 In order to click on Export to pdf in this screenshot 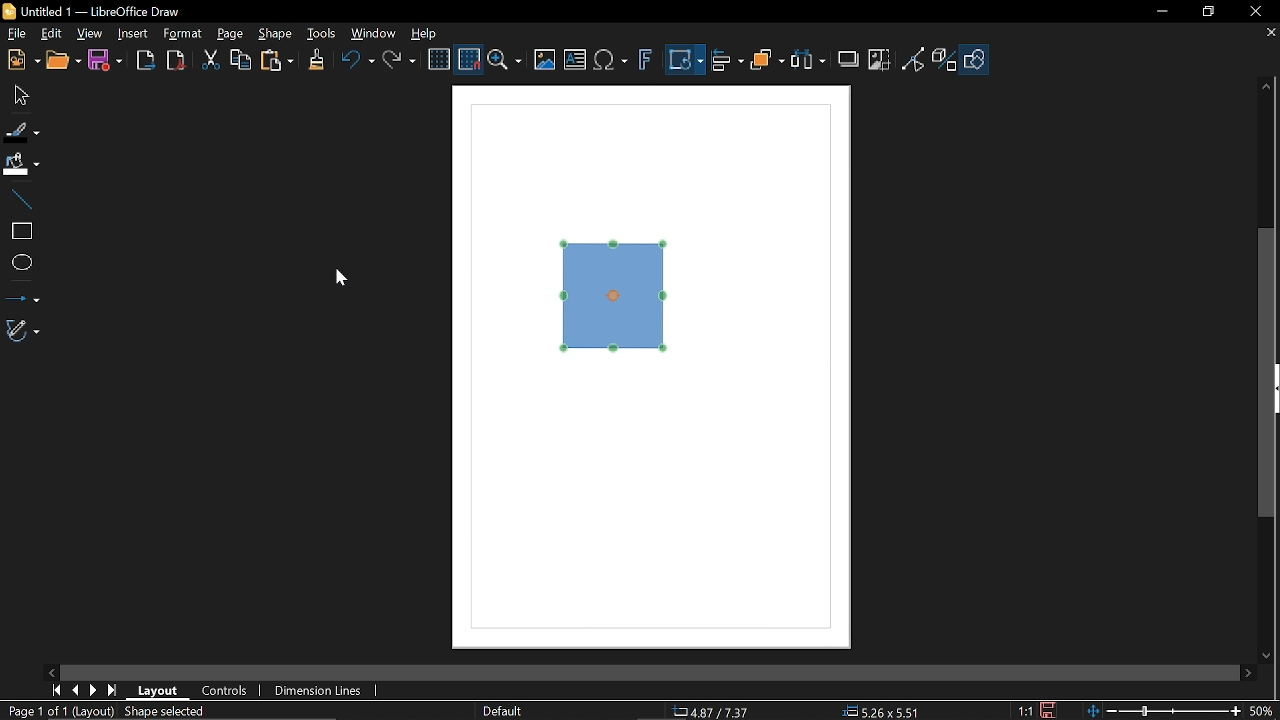, I will do `click(174, 60)`.